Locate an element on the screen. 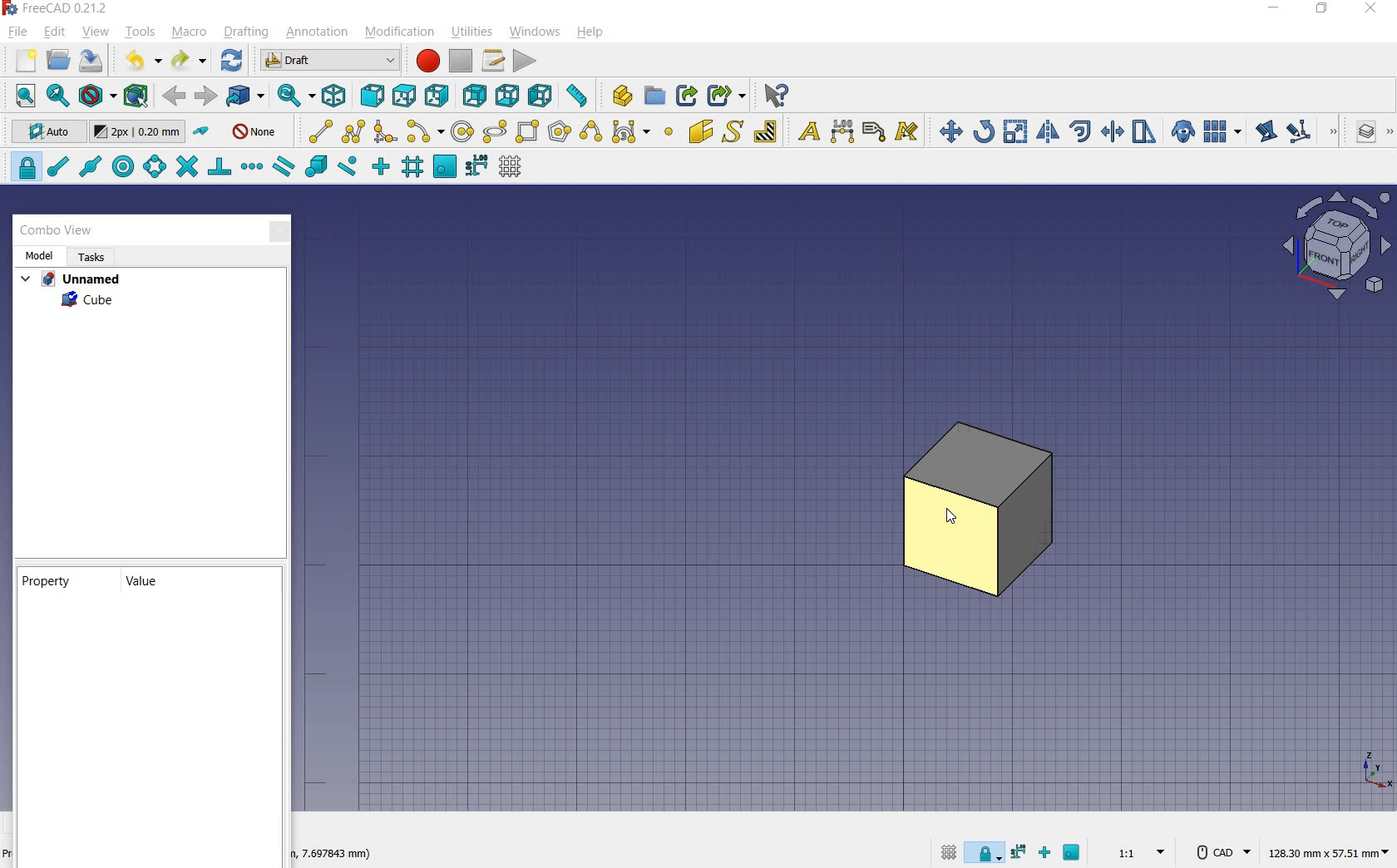  redo is located at coordinates (186, 61).